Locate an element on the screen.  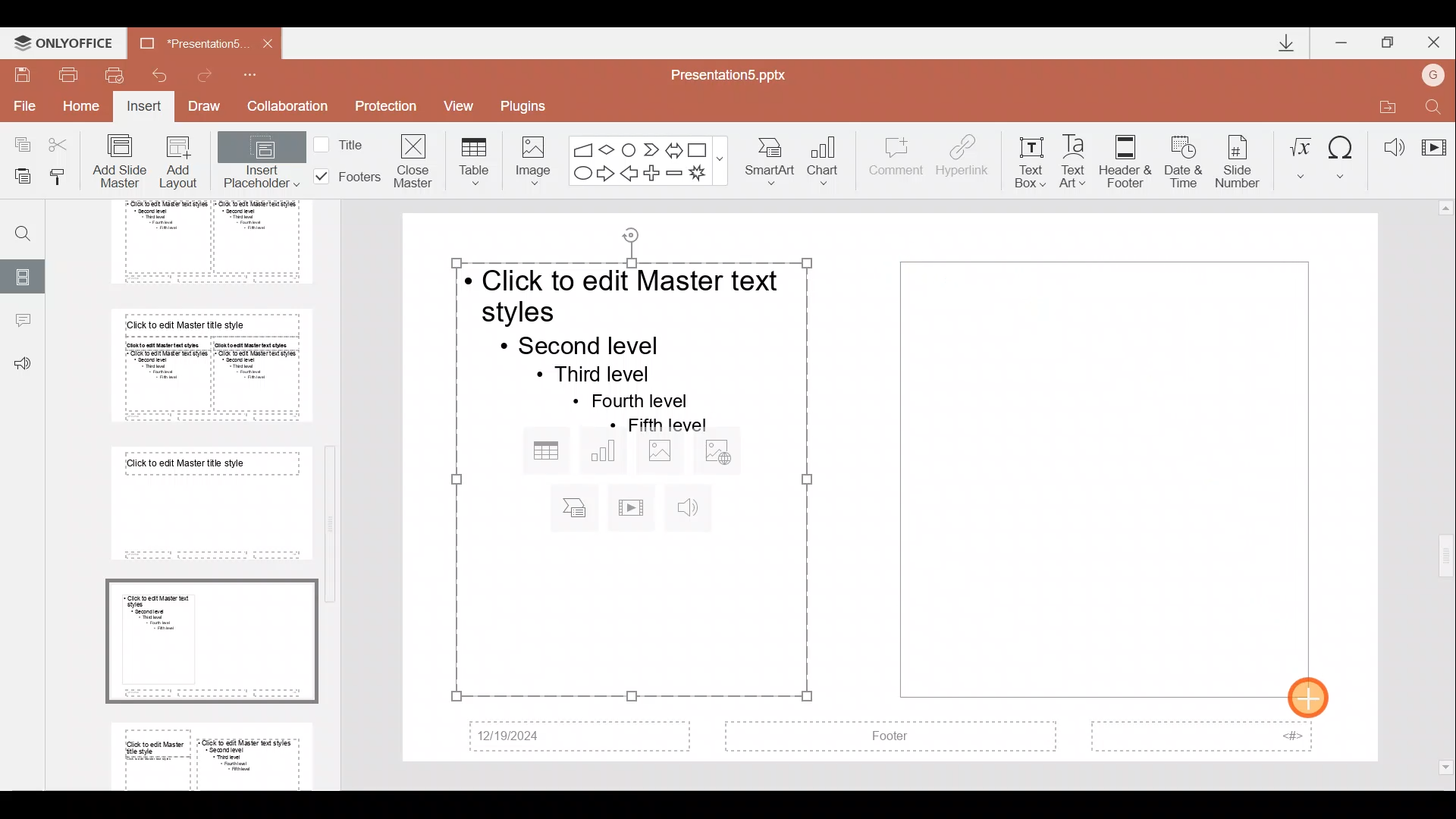
Date & time is located at coordinates (1180, 158).